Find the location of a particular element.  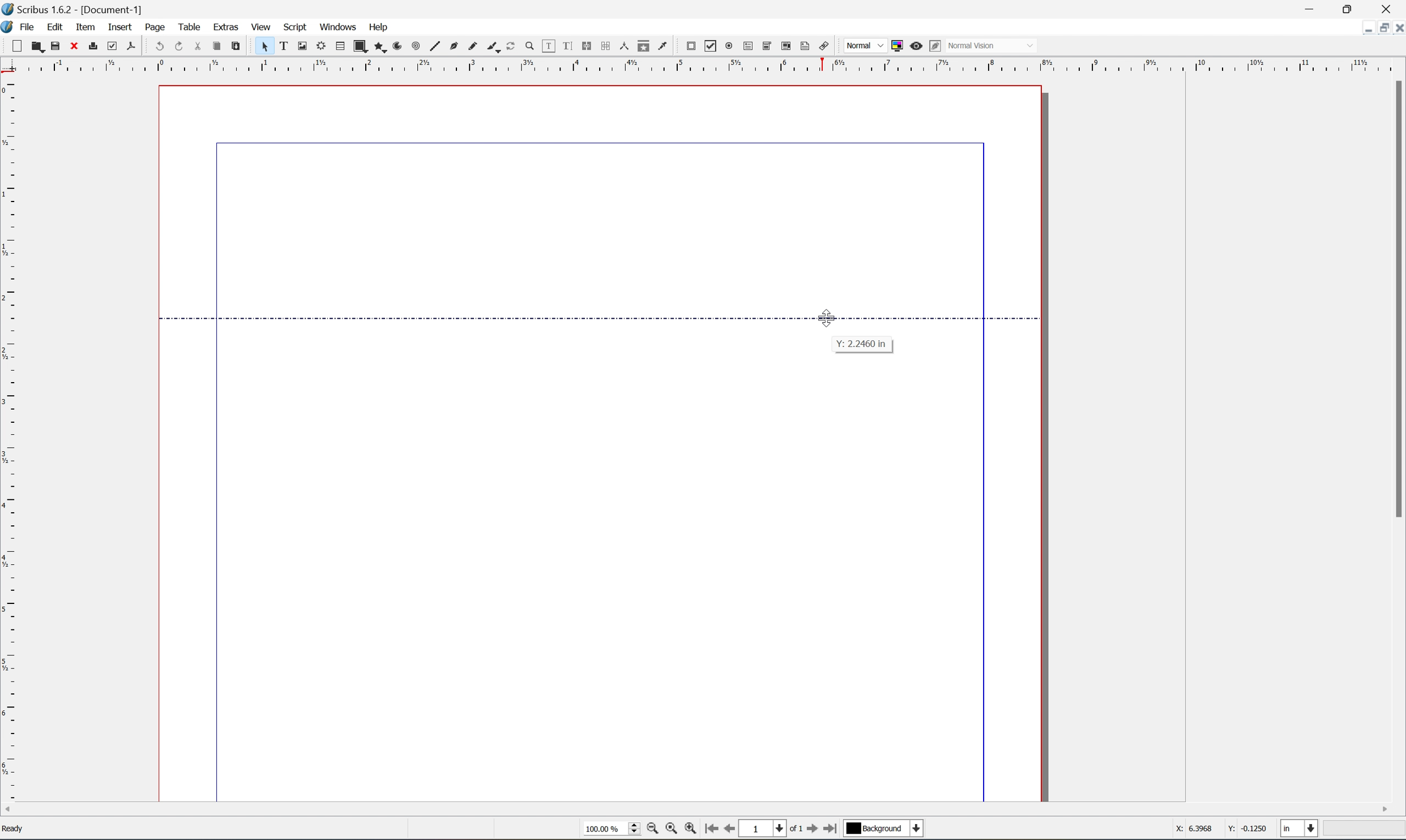

undo is located at coordinates (160, 47).